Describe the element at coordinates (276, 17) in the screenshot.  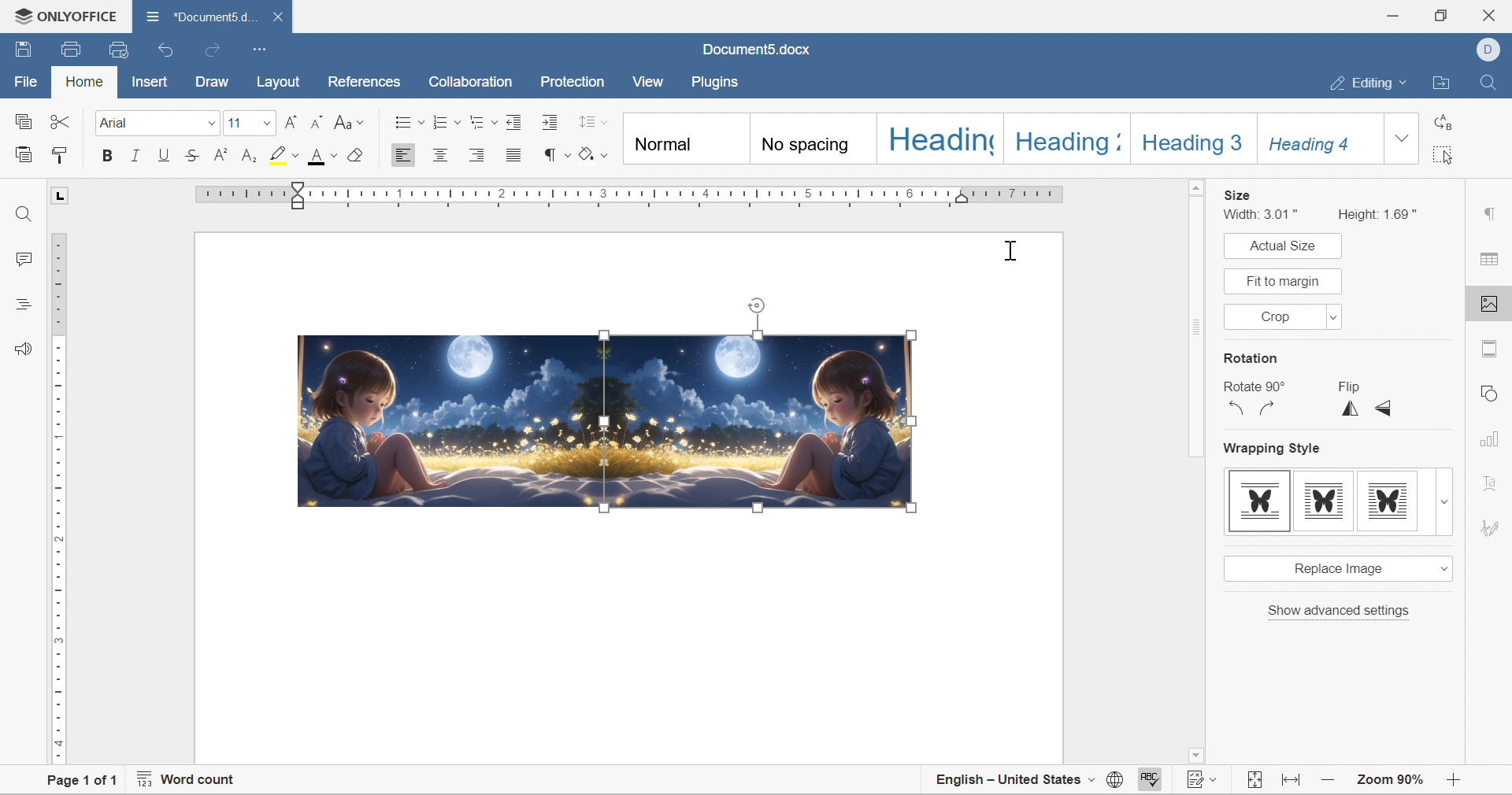
I see `close` at that location.